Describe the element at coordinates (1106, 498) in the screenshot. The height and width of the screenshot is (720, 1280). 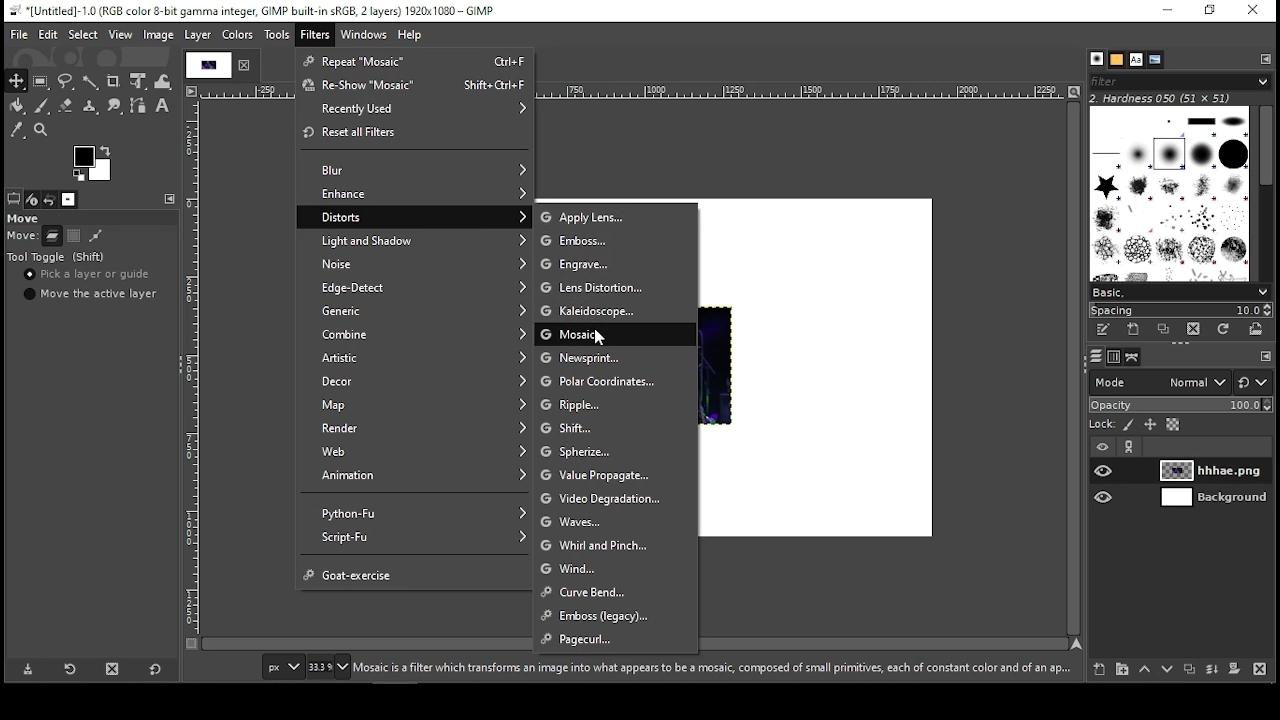
I see `layer visibility on/off` at that location.